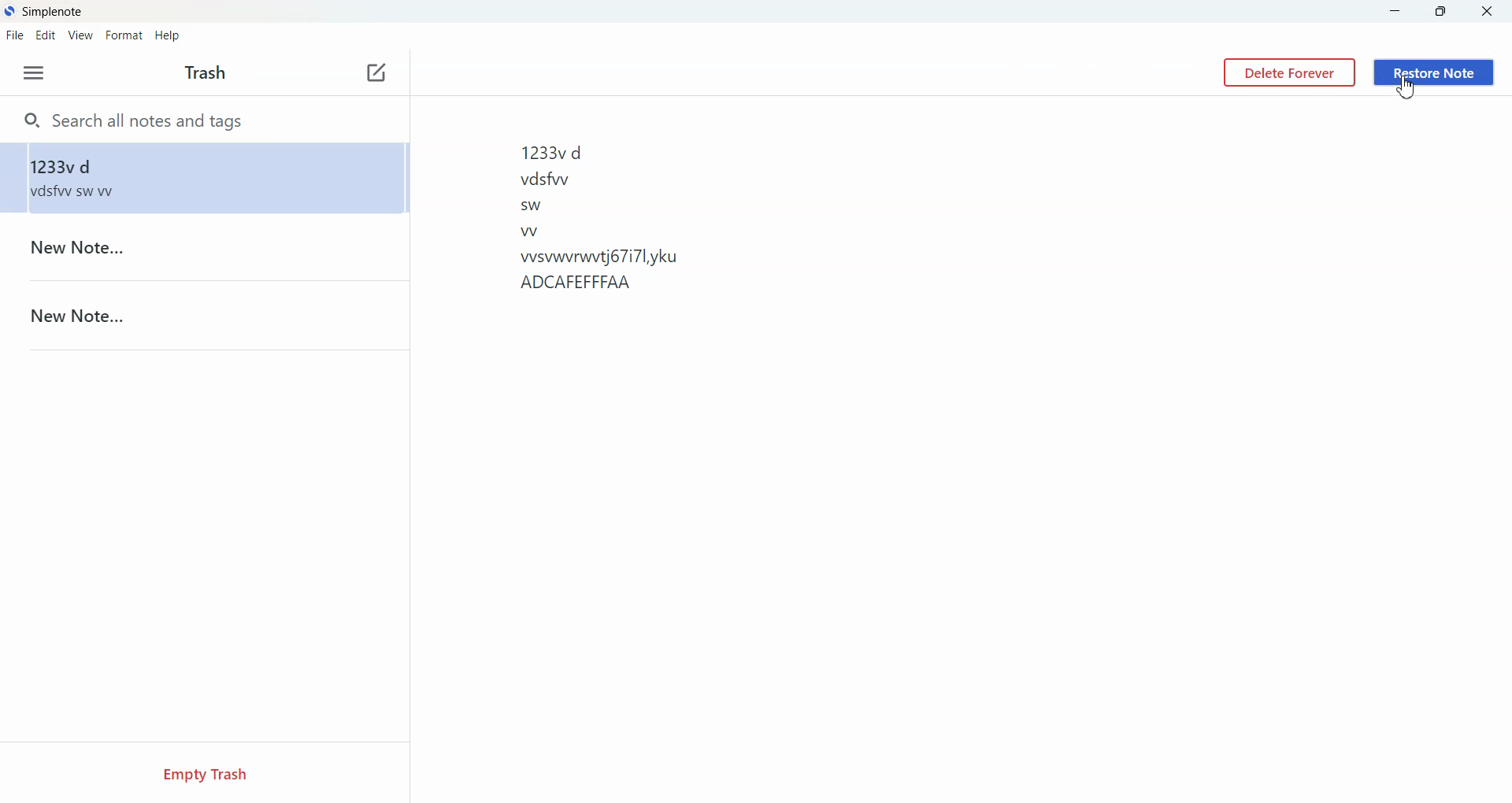 The width and height of the screenshot is (1512, 803). I want to click on New Note, so click(205, 315).